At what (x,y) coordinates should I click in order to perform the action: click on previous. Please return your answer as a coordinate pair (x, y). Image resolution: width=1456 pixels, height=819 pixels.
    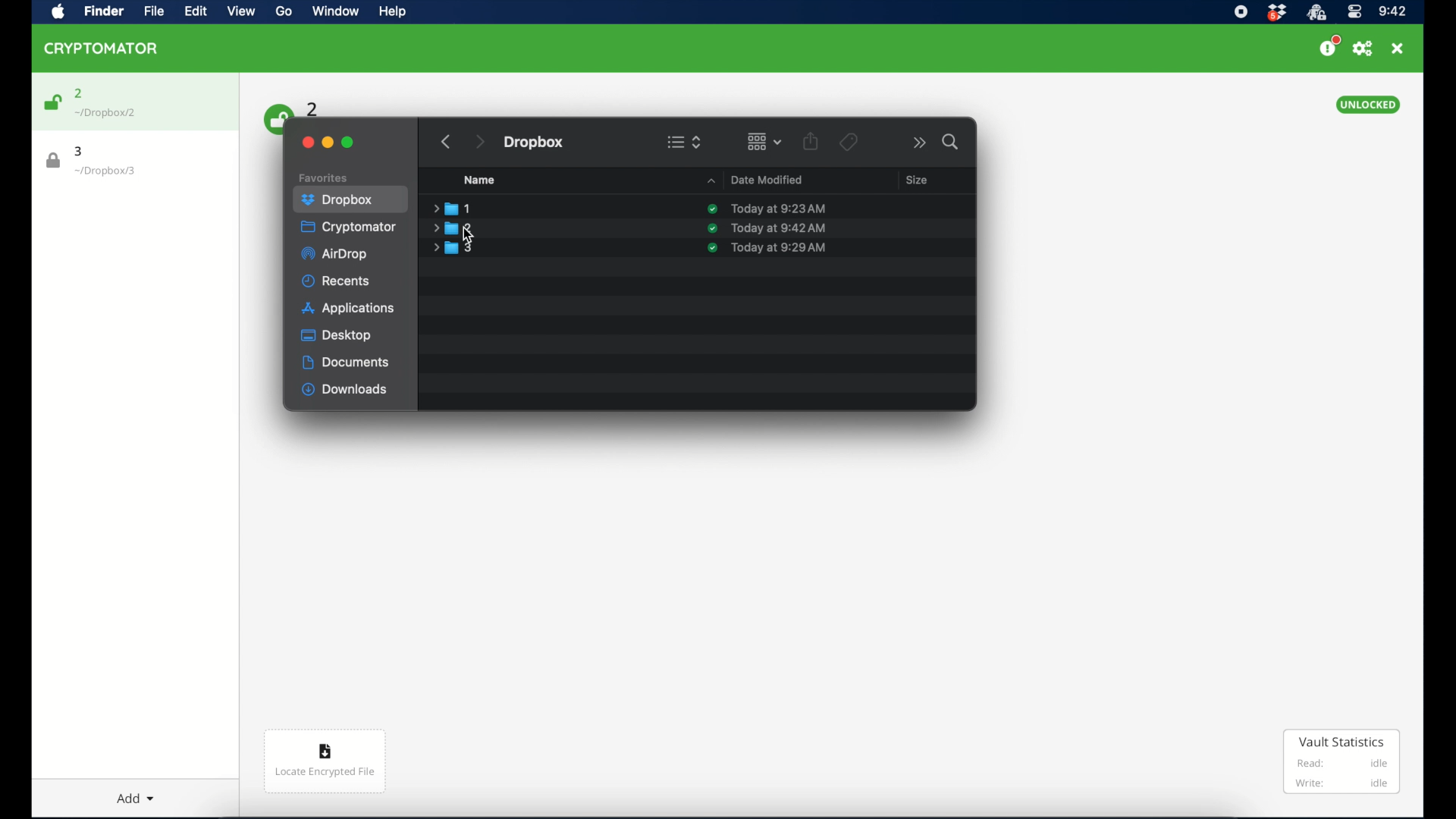
    Looking at the image, I should click on (446, 142).